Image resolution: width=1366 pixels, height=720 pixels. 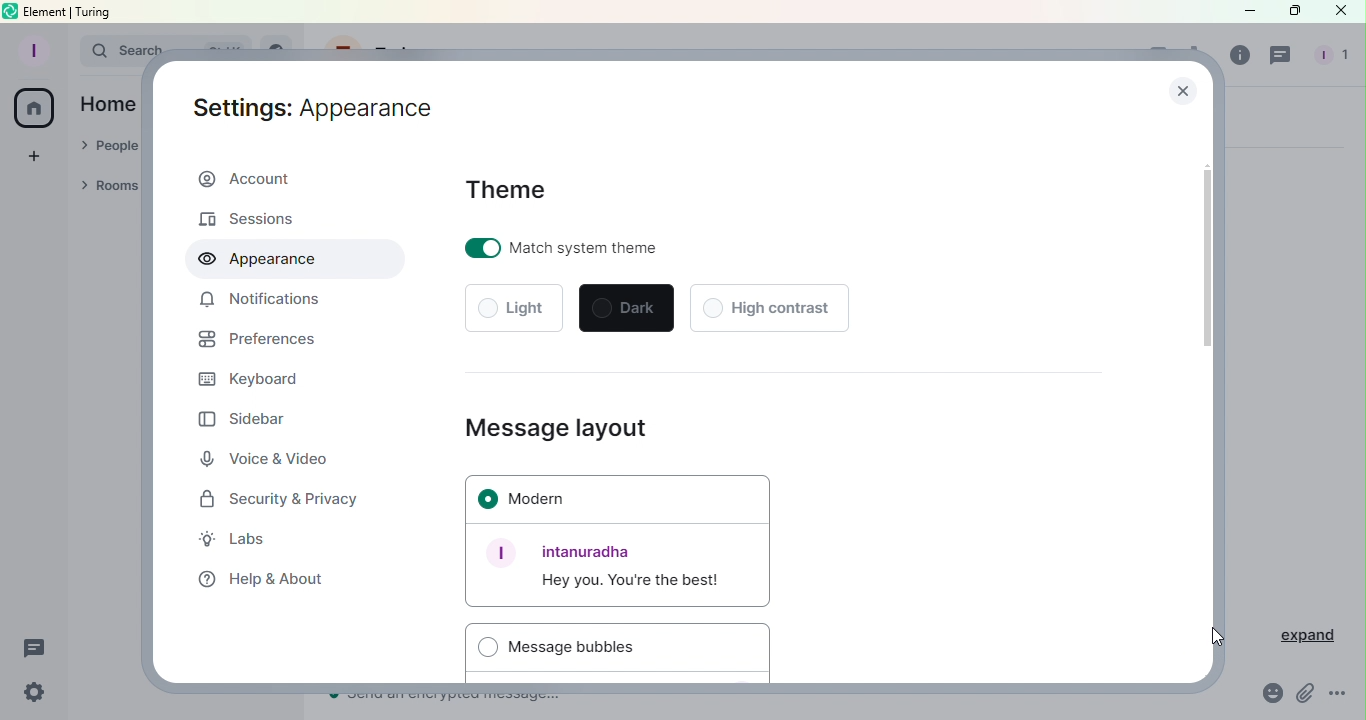 What do you see at coordinates (1306, 696) in the screenshot?
I see `Attachment` at bounding box center [1306, 696].